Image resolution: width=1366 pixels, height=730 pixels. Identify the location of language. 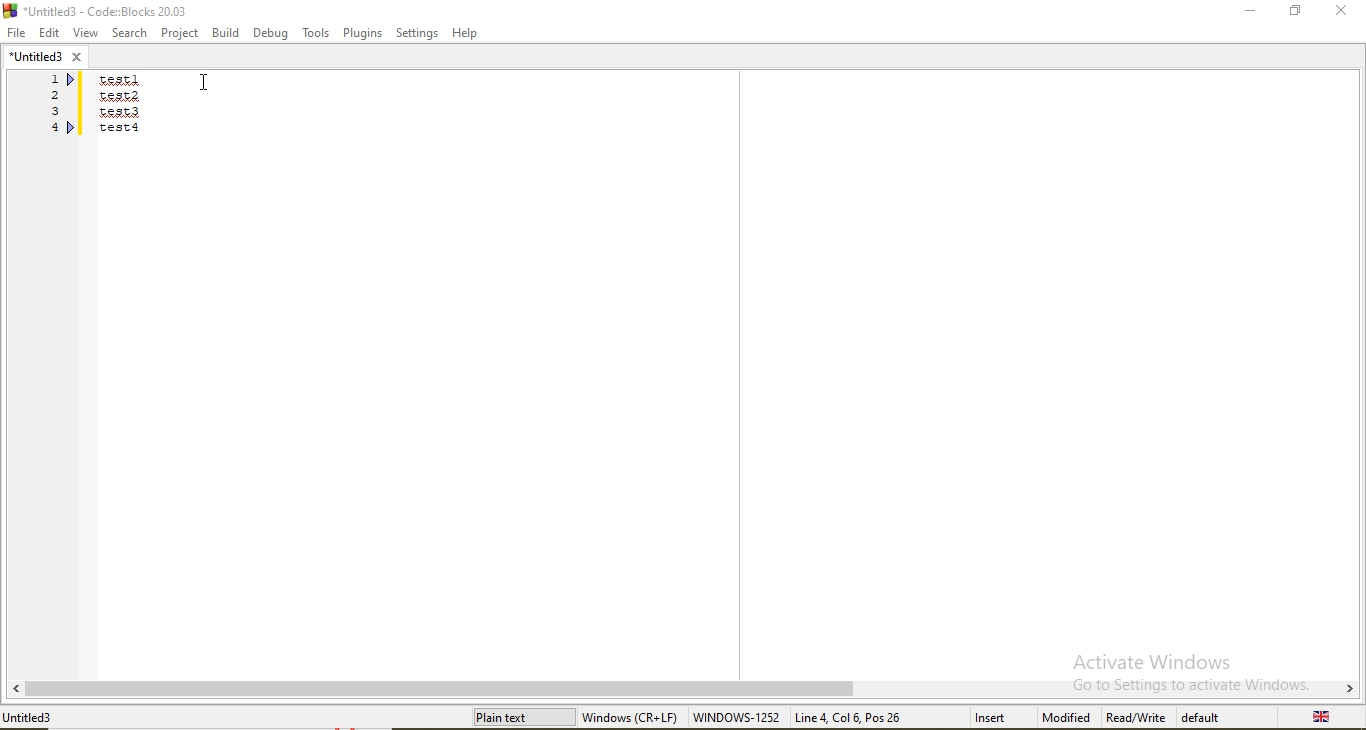
(1324, 717).